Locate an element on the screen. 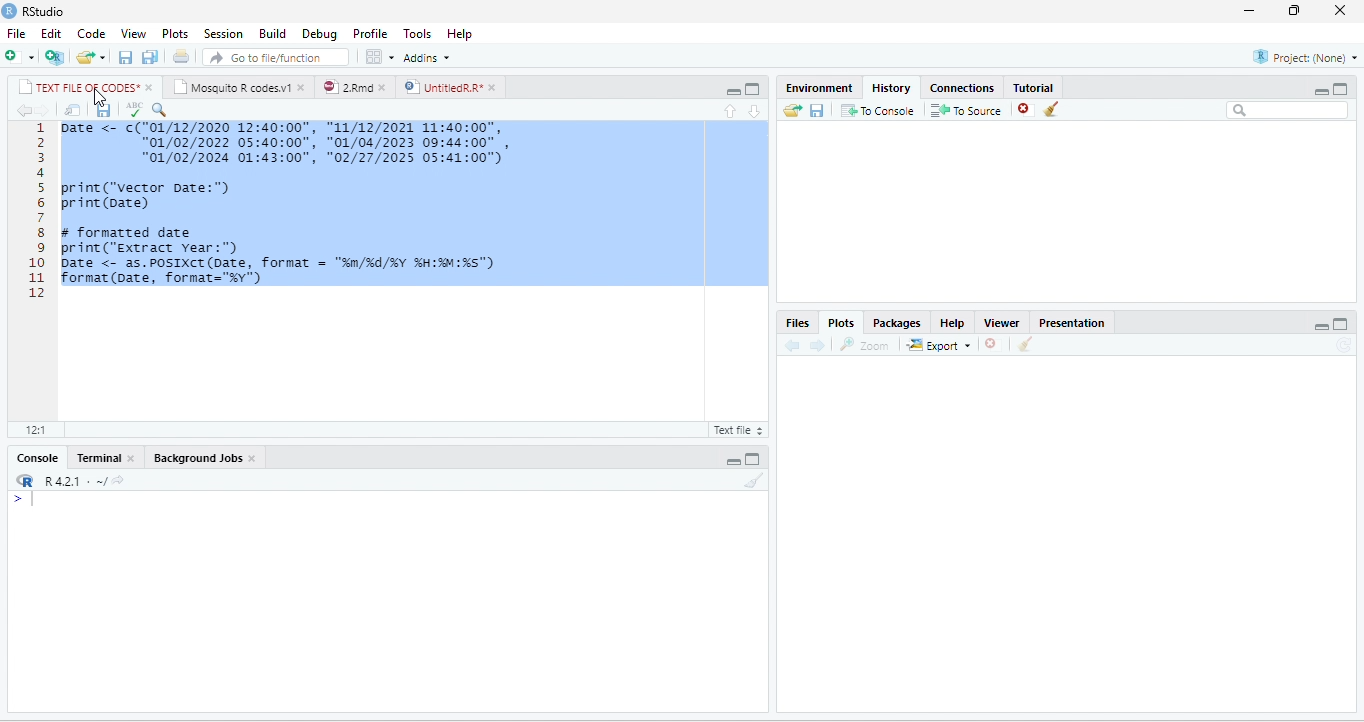 This screenshot has width=1364, height=722. Mosquito R codes.v1 is located at coordinates (232, 87).